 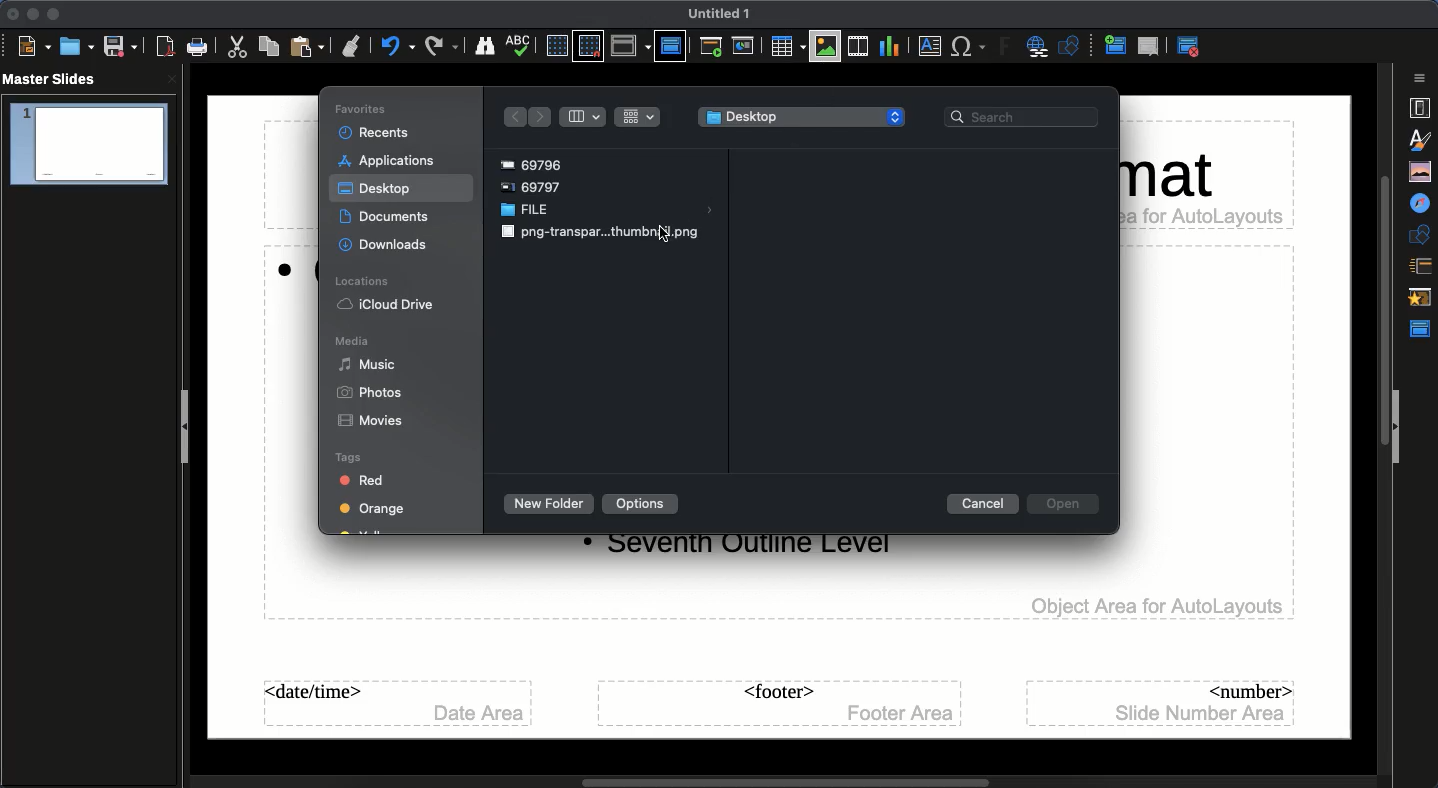 What do you see at coordinates (1398, 428) in the screenshot?
I see `Collapse` at bounding box center [1398, 428].